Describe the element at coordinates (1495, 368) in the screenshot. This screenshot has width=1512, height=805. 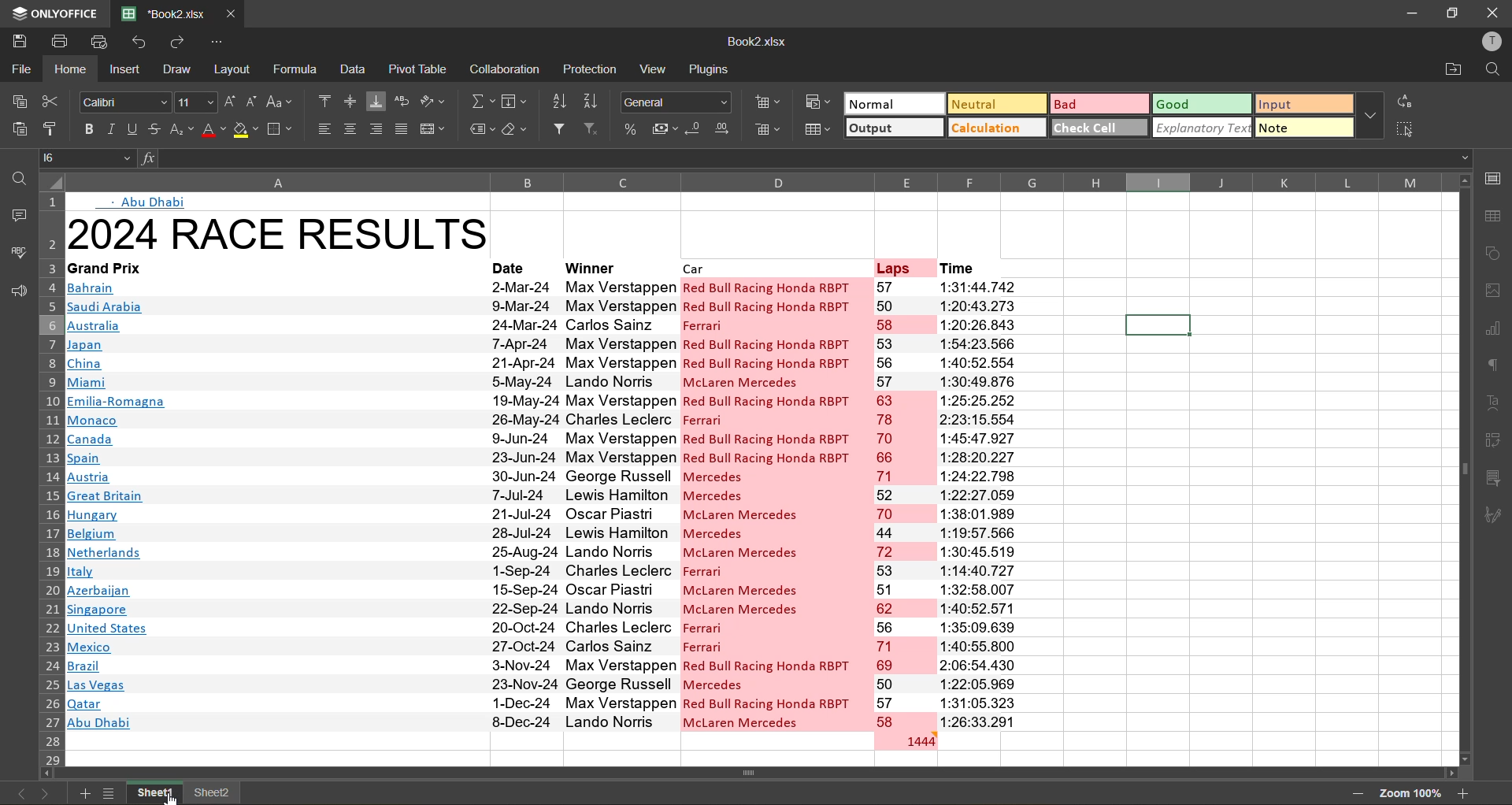
I see `paragraph` at that location.